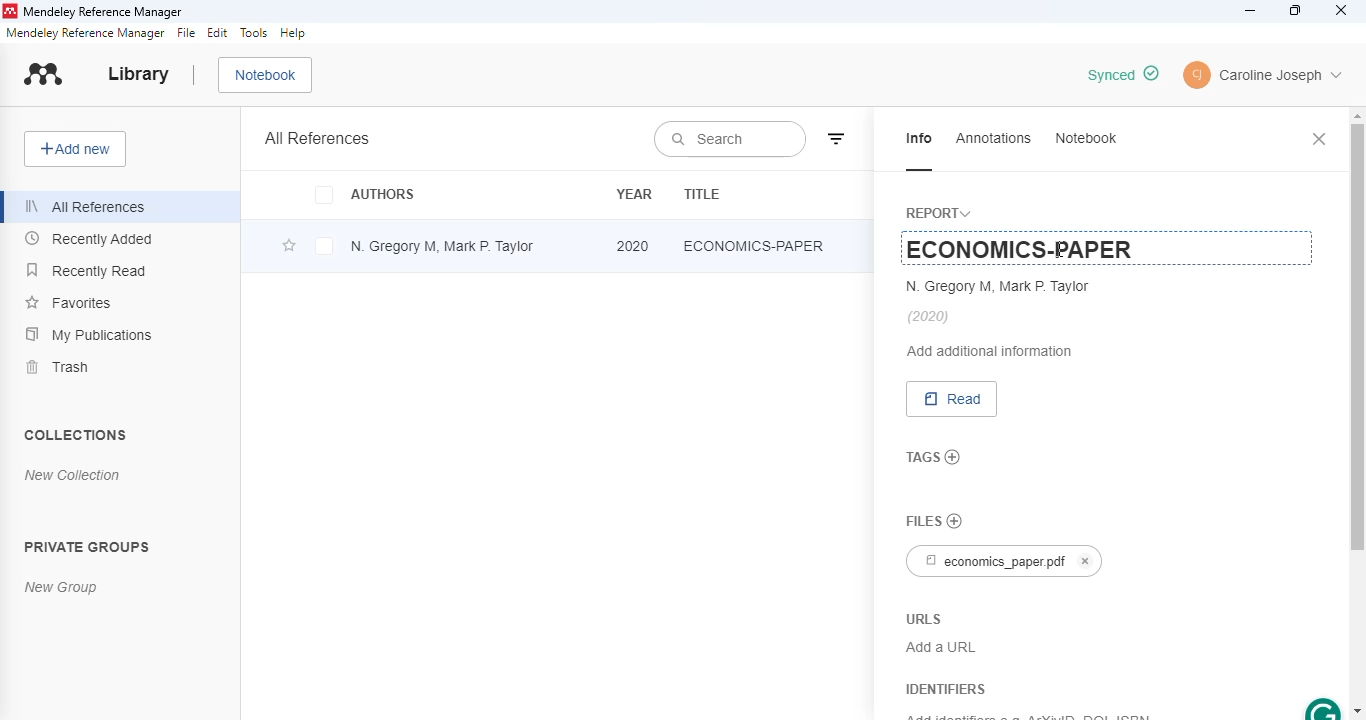  What do you see at coordinates (88, 547) in the screenshot?
I see `private groups` at bounding box center [88, 547].